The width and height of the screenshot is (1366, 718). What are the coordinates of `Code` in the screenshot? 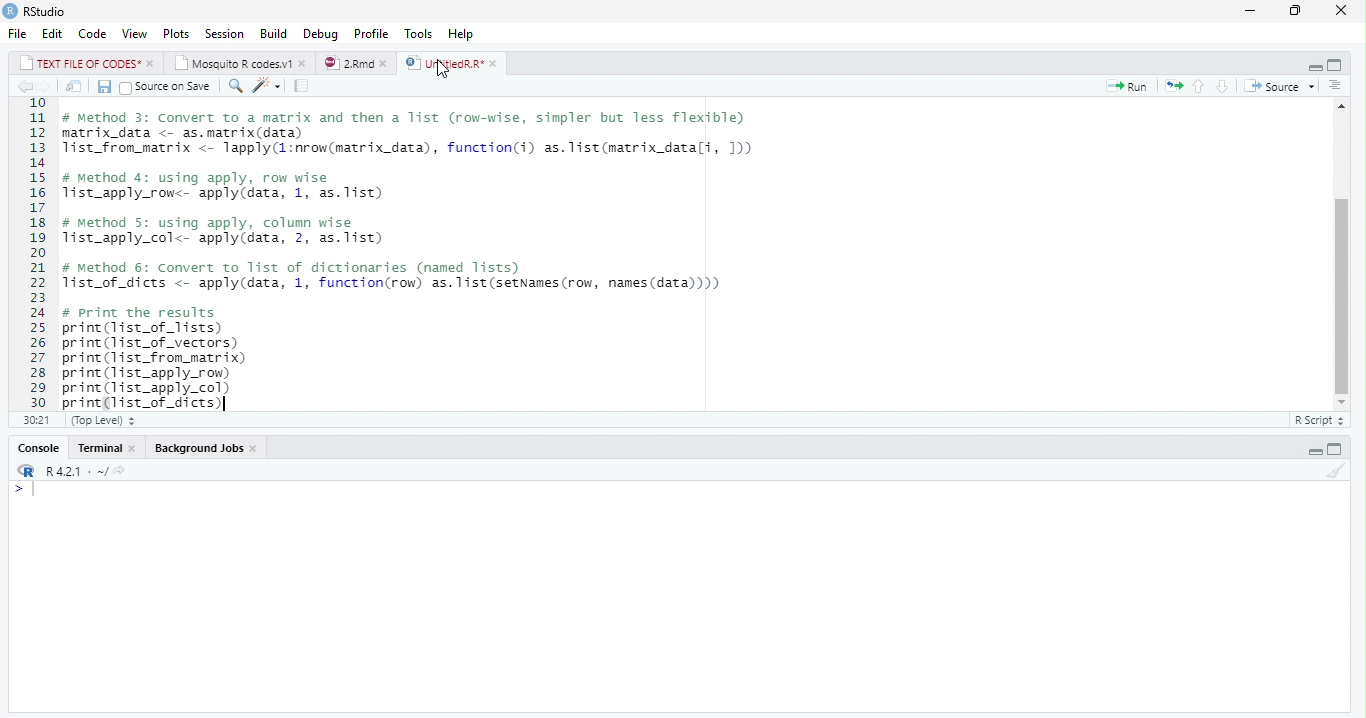 It's located at (93, 33).